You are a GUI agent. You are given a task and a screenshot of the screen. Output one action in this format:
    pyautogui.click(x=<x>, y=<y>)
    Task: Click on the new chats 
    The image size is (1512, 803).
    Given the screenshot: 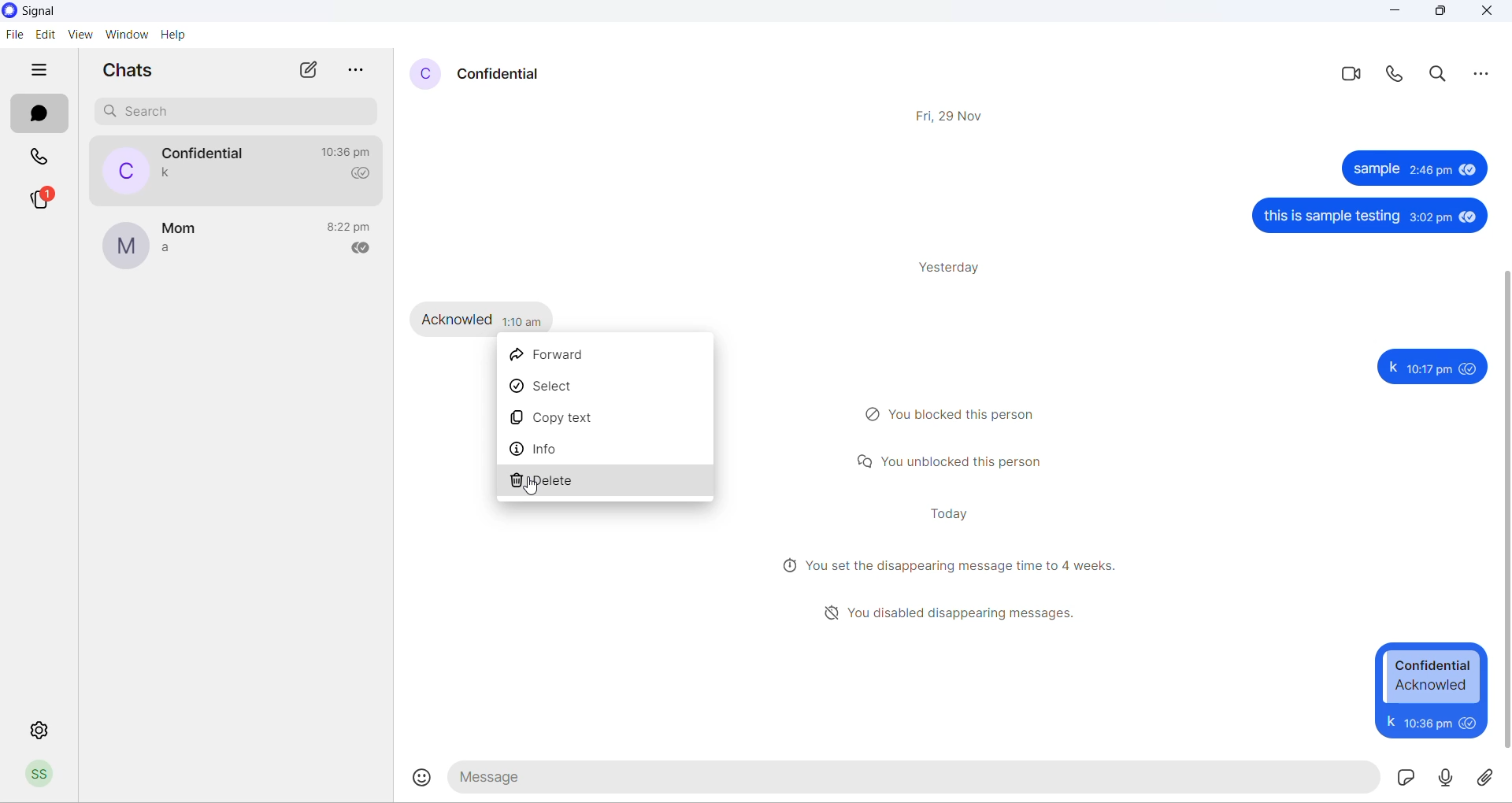 What is the action you would take?
    pyautogui.click(x=308, y=71)
    